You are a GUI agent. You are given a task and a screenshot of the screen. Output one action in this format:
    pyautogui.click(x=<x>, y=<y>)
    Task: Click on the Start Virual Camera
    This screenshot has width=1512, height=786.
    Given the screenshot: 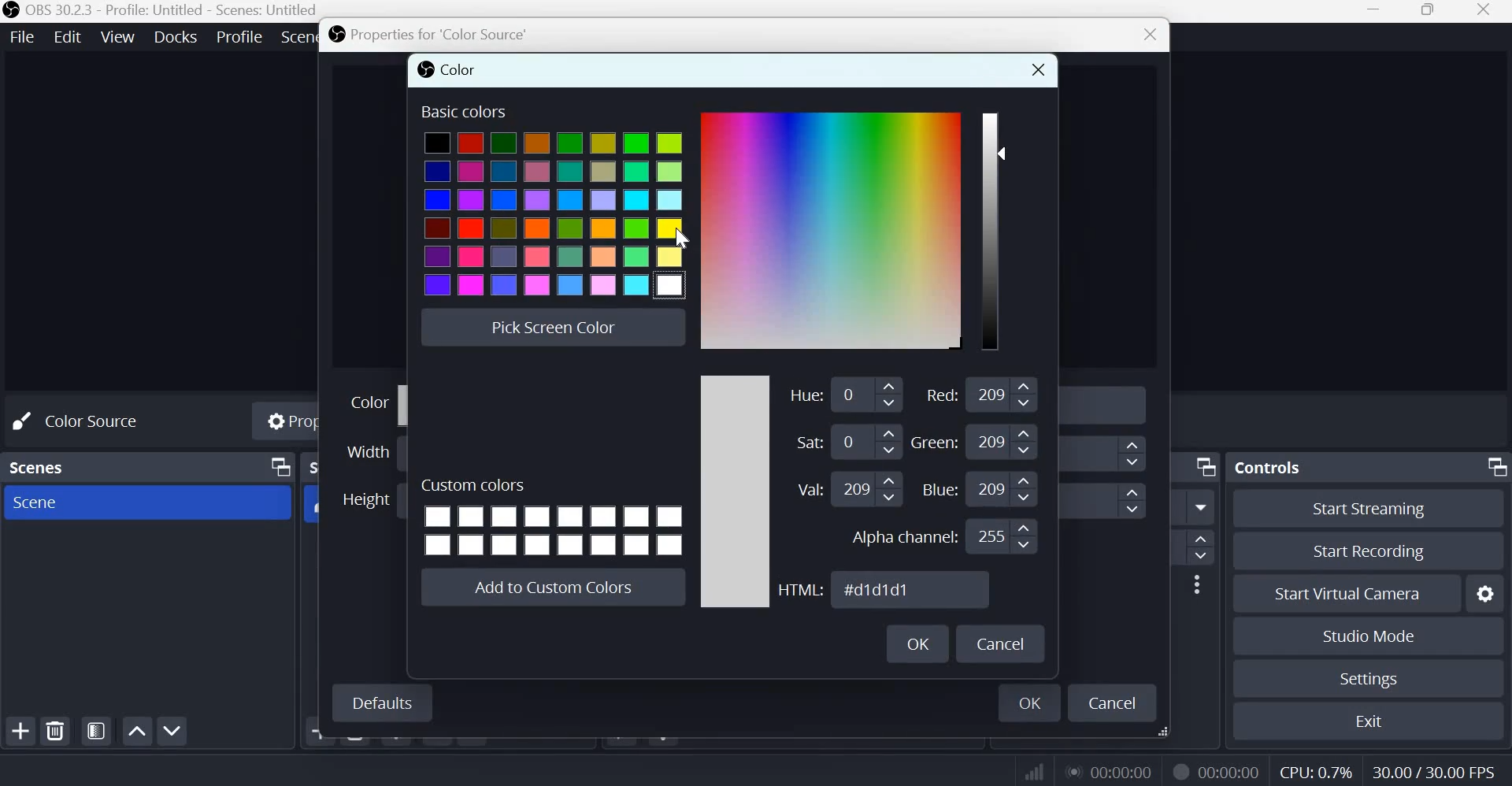 What is the action you would take?
    pyautogui.click(x=1347, y=595)
    